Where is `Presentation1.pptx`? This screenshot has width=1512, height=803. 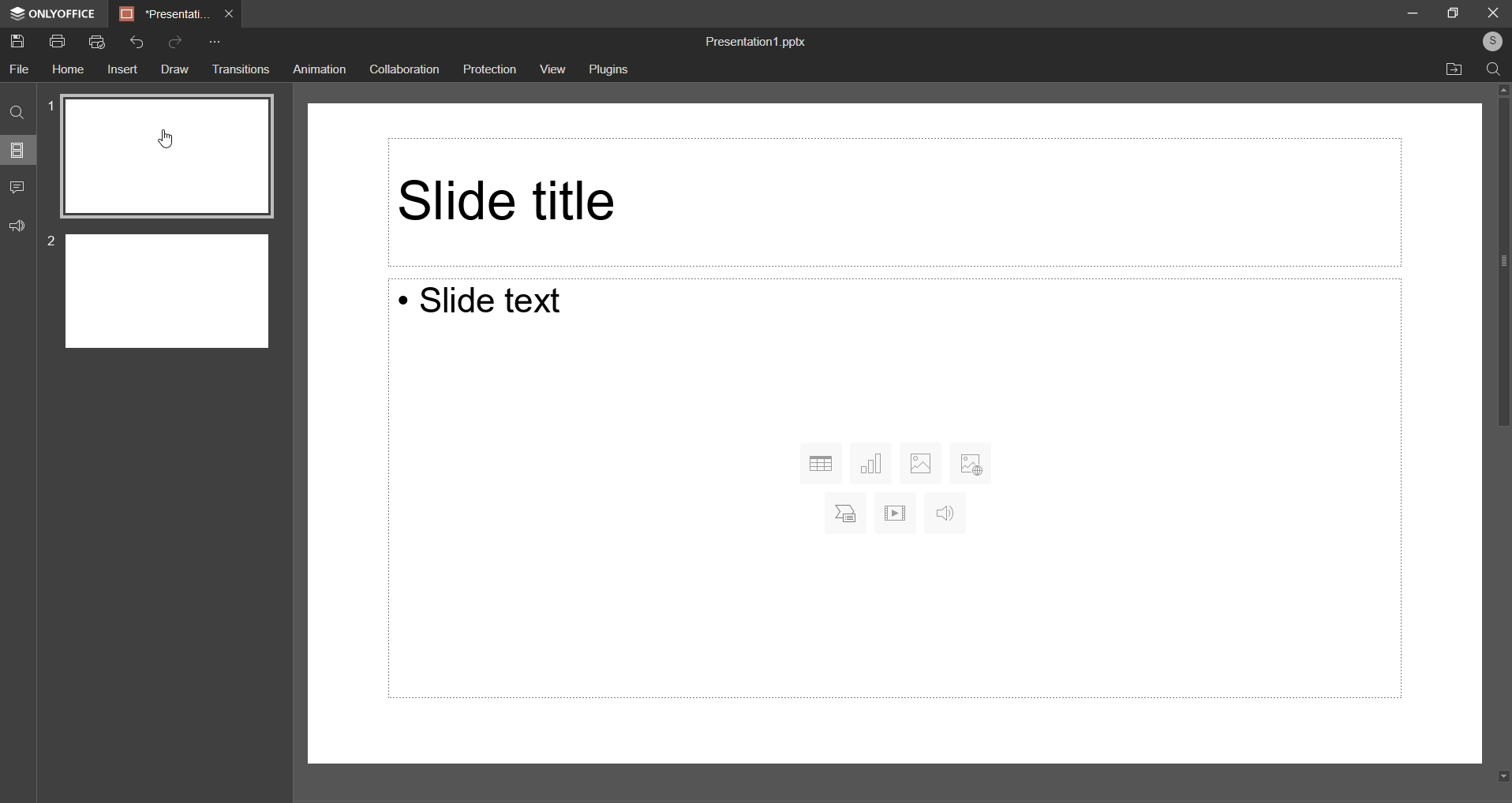
Presentation1.pptx is located at coordinates (754, 42).